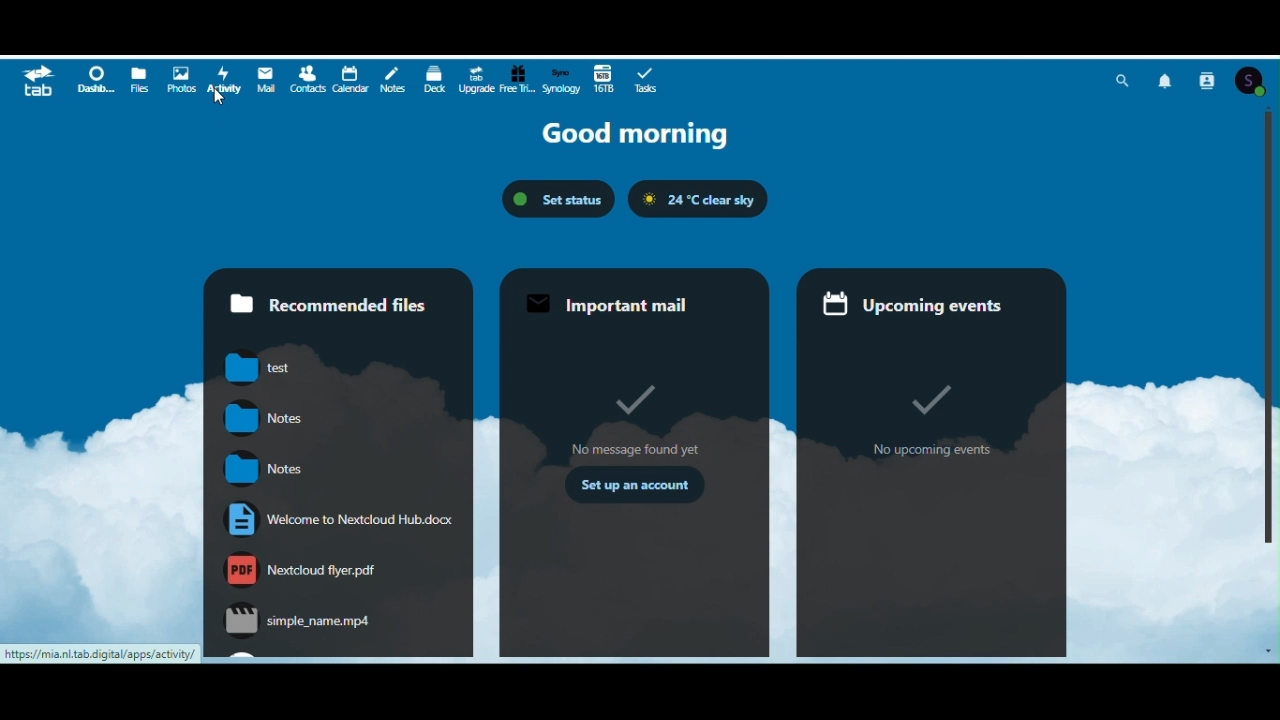 The width and height of the screenshot is (1280, 720). What do you see at coordinates (1252, 80) in the screenshot?
I see `Account icon` at bounding box center [1252, 80].